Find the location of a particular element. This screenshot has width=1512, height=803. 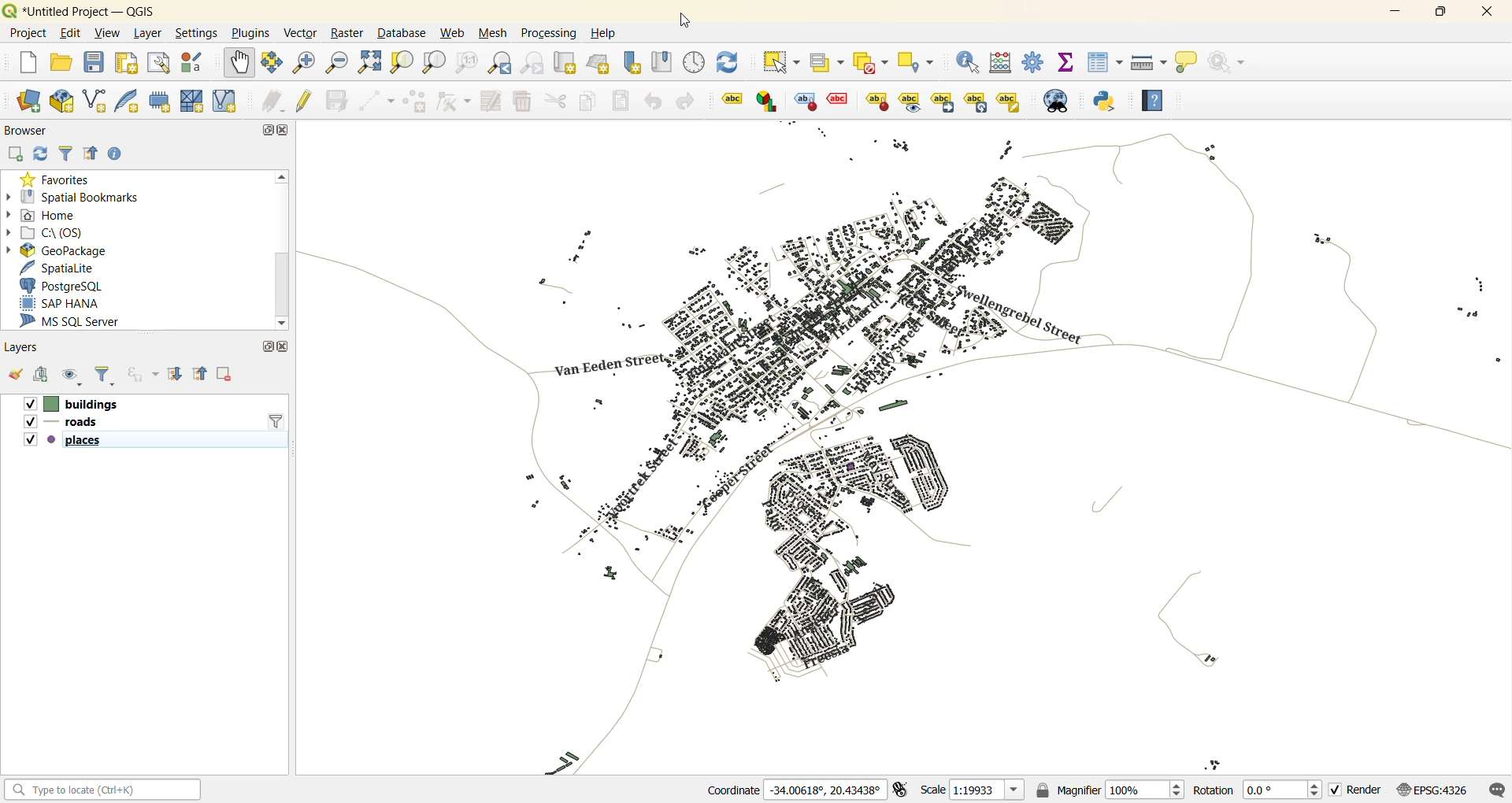

filter is located at coordinates (276, 420).